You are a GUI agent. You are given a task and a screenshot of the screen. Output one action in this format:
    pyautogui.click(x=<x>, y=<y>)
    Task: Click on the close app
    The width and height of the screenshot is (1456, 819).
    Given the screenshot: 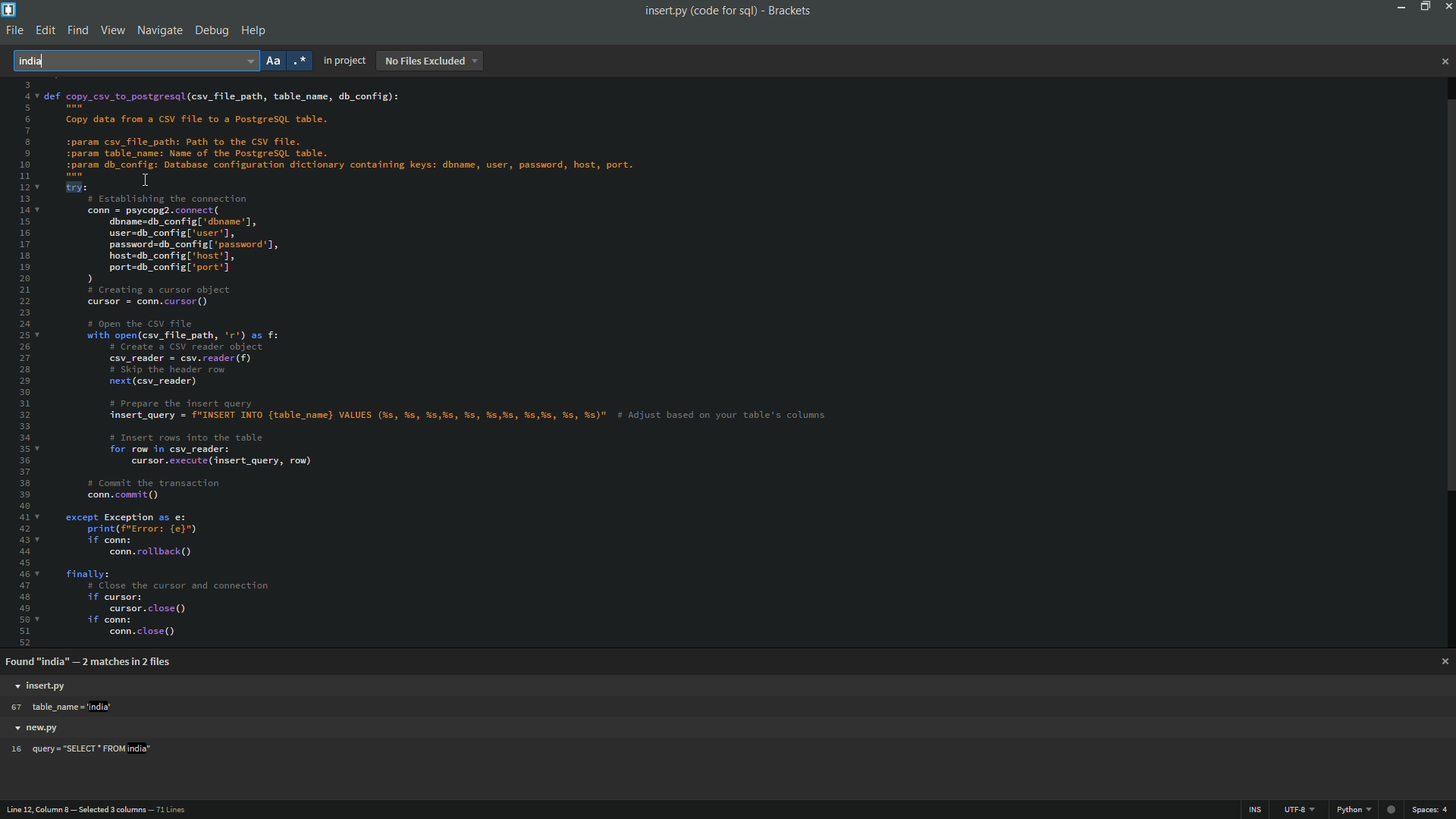 What is the action you would take?
    pyautogui.click(x=1447, y=6)
    